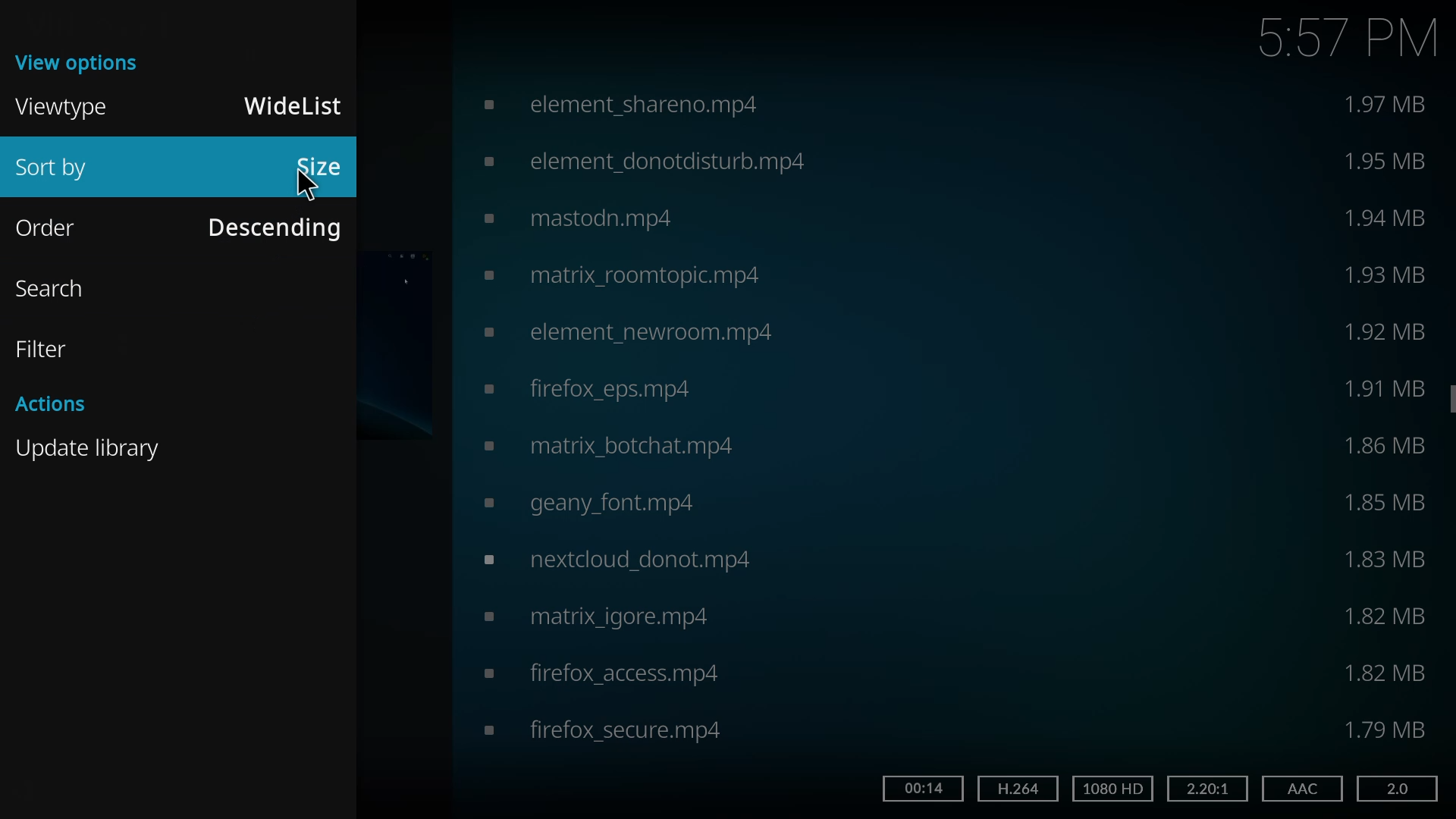 This screenshot has width=1456, height=819. Describe the element at coordinates (1395, 788) in the screenshot. I see `2` at that location.